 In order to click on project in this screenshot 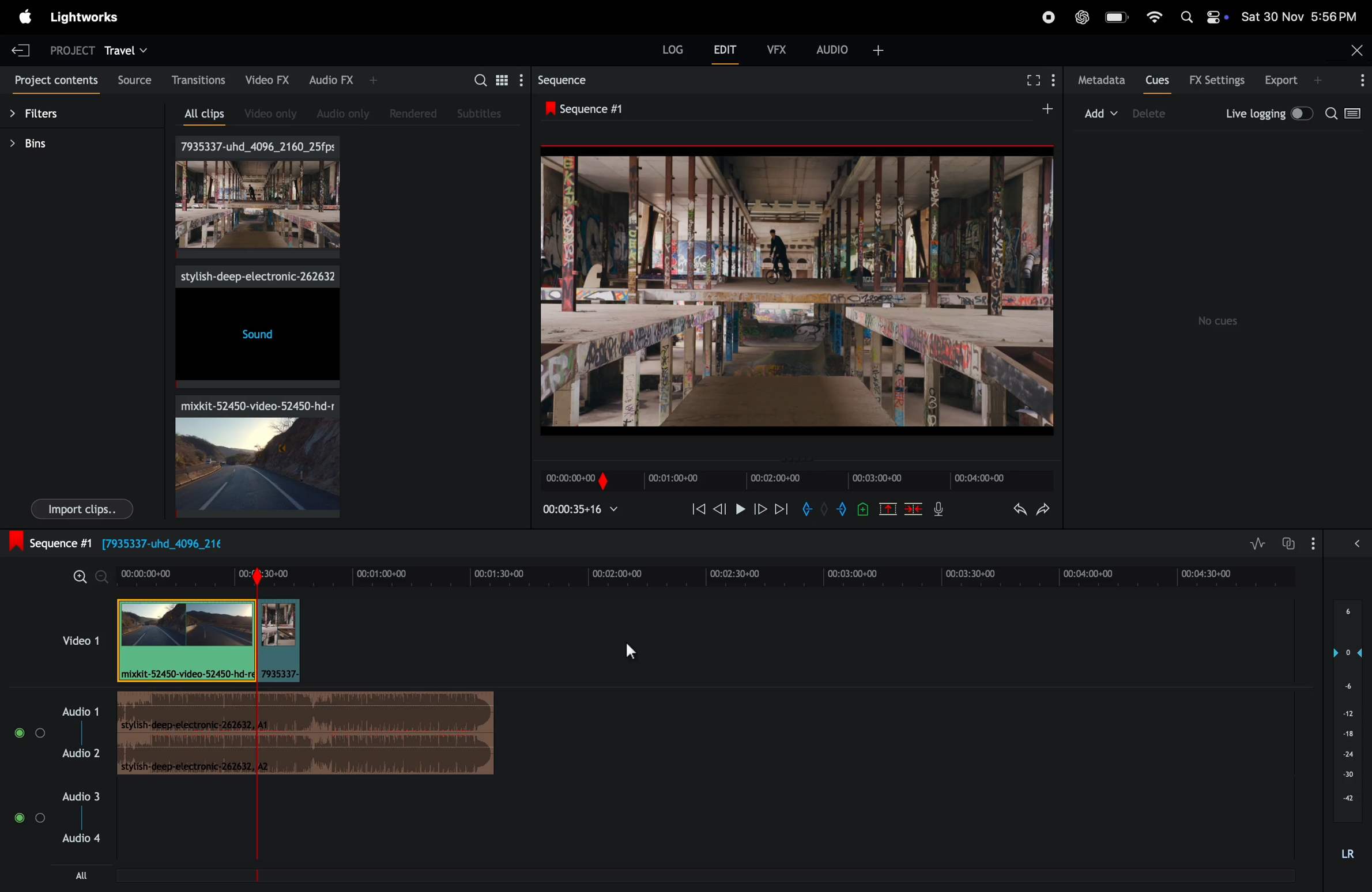, I will do `click(66, 48)`.